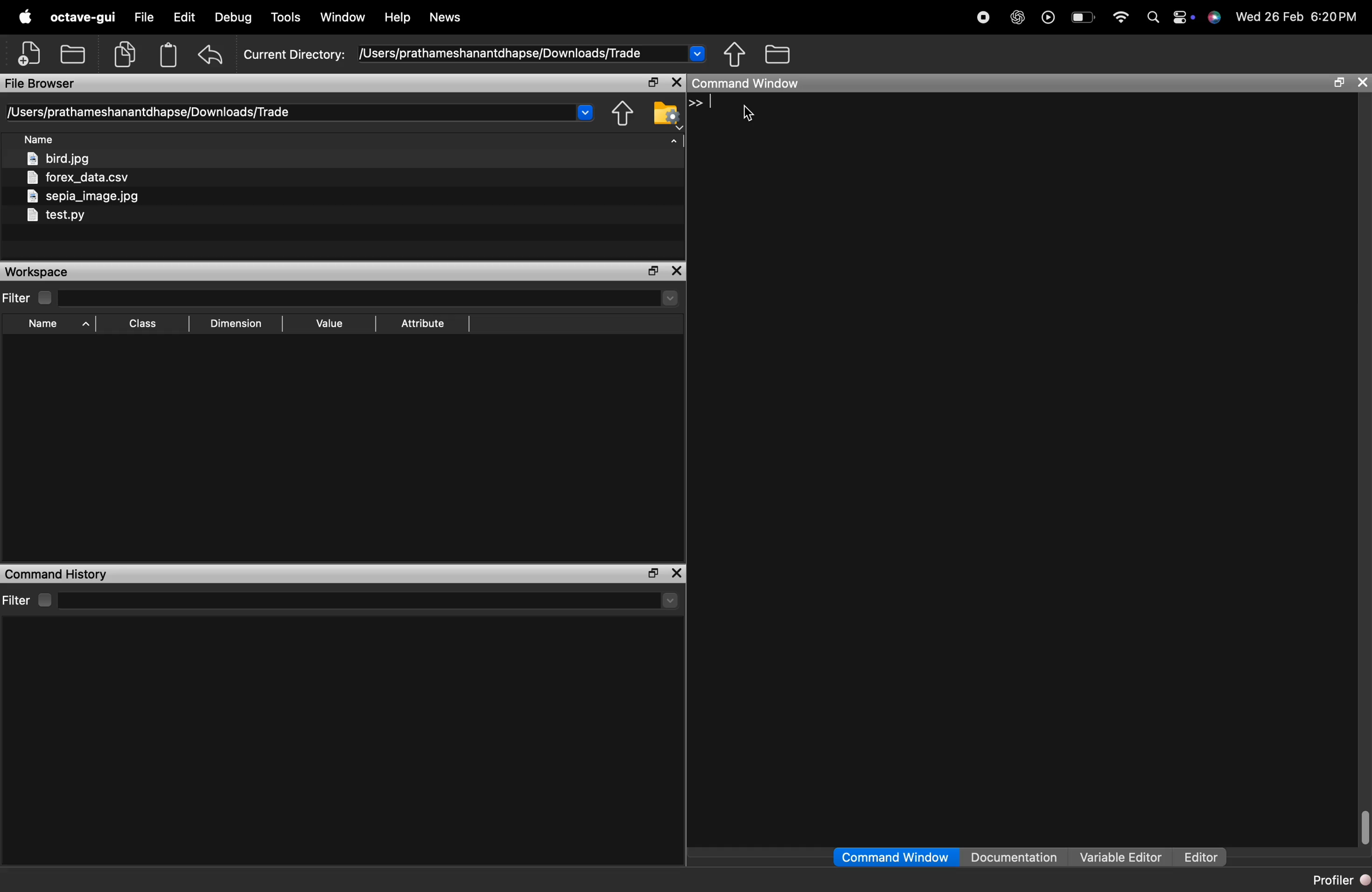 Image resolution: width=1372 pixels, height=892 pixels. What do you see at coordinates (1013, 856) in the screenshot?
I see `Documentation` at bounding box center [1013, 856].